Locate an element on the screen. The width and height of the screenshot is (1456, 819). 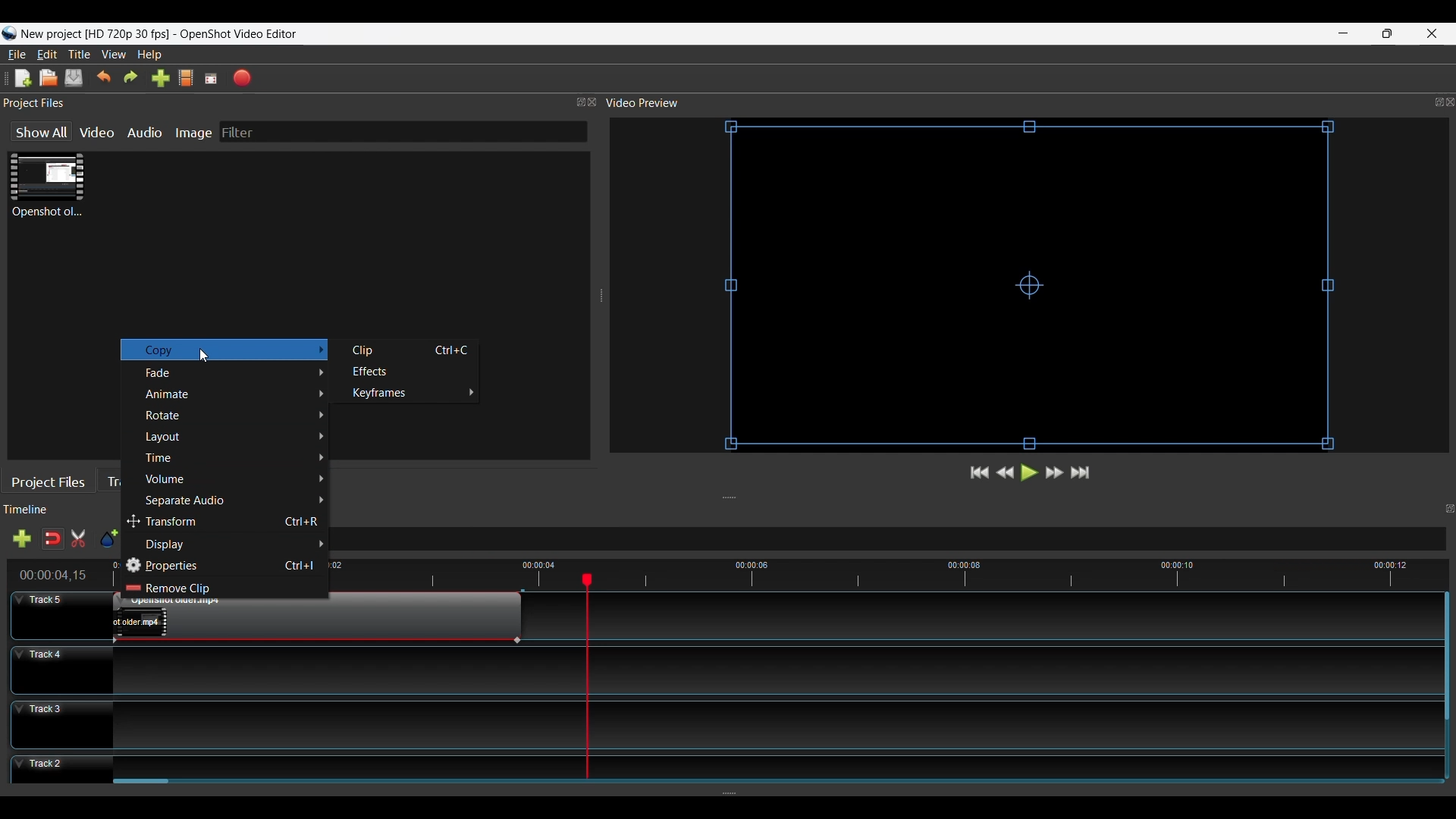
Track Header is located at coordinates (61, 723).